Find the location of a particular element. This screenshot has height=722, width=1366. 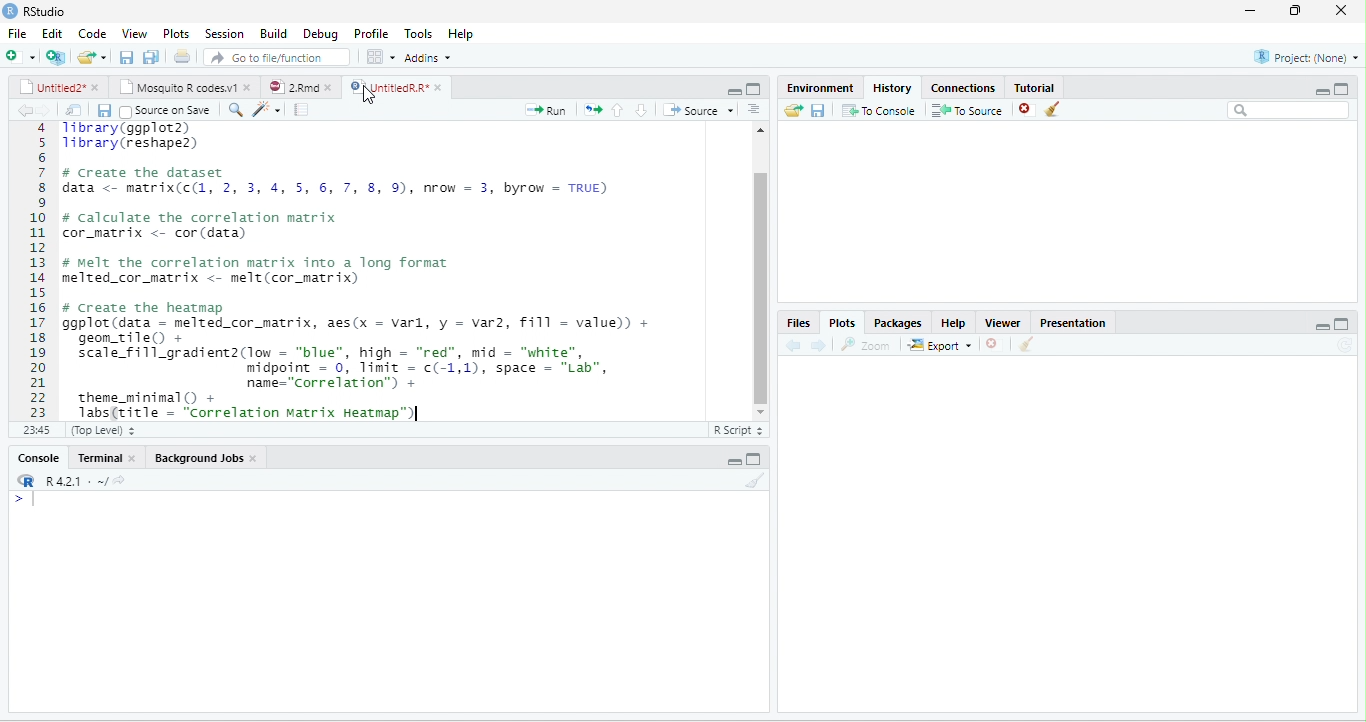

Backgroun jobs is located at coordinates (217, 458).